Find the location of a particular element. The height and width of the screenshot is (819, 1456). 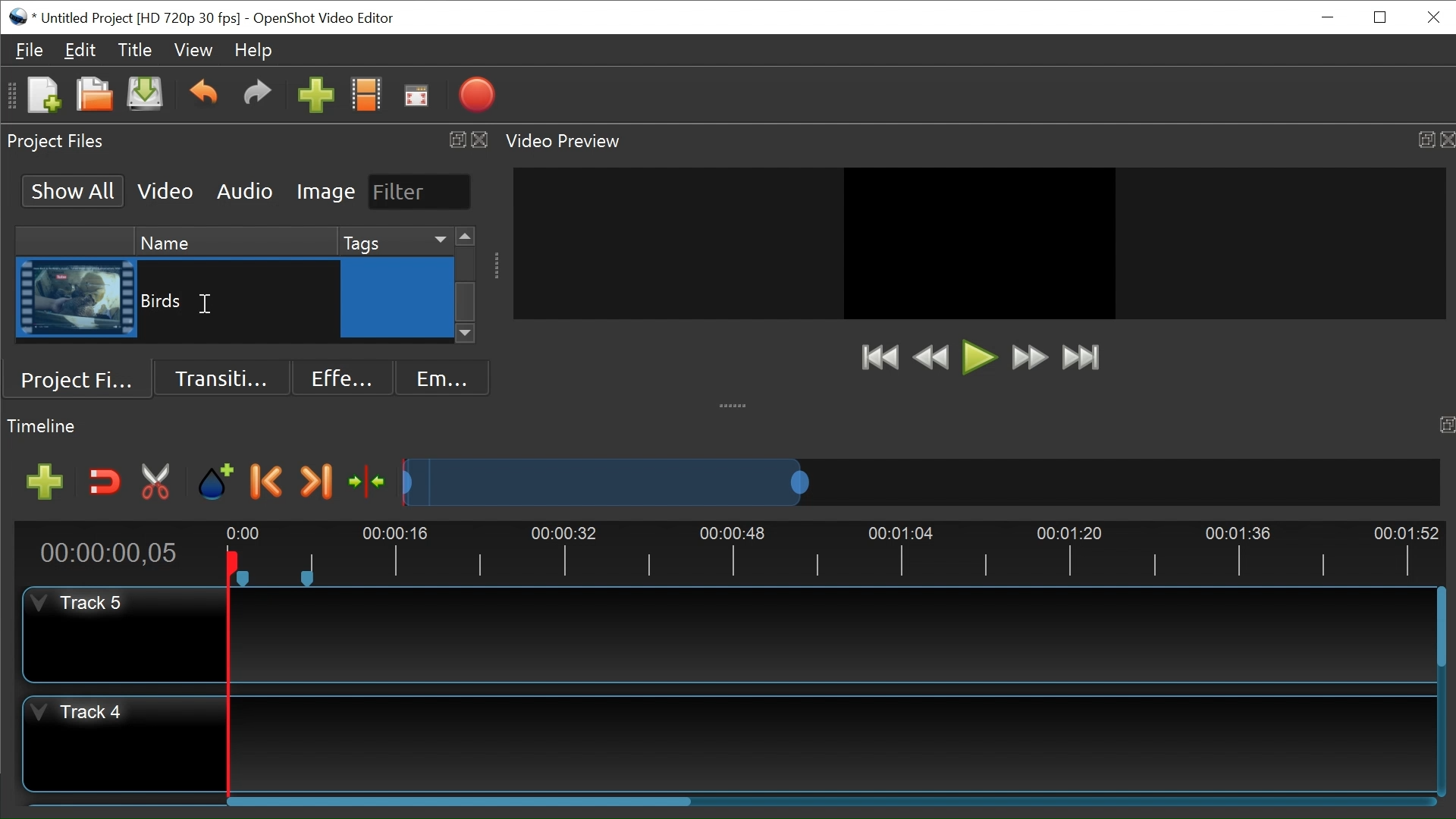

Jump to Start is located at coordinates (879, 359).